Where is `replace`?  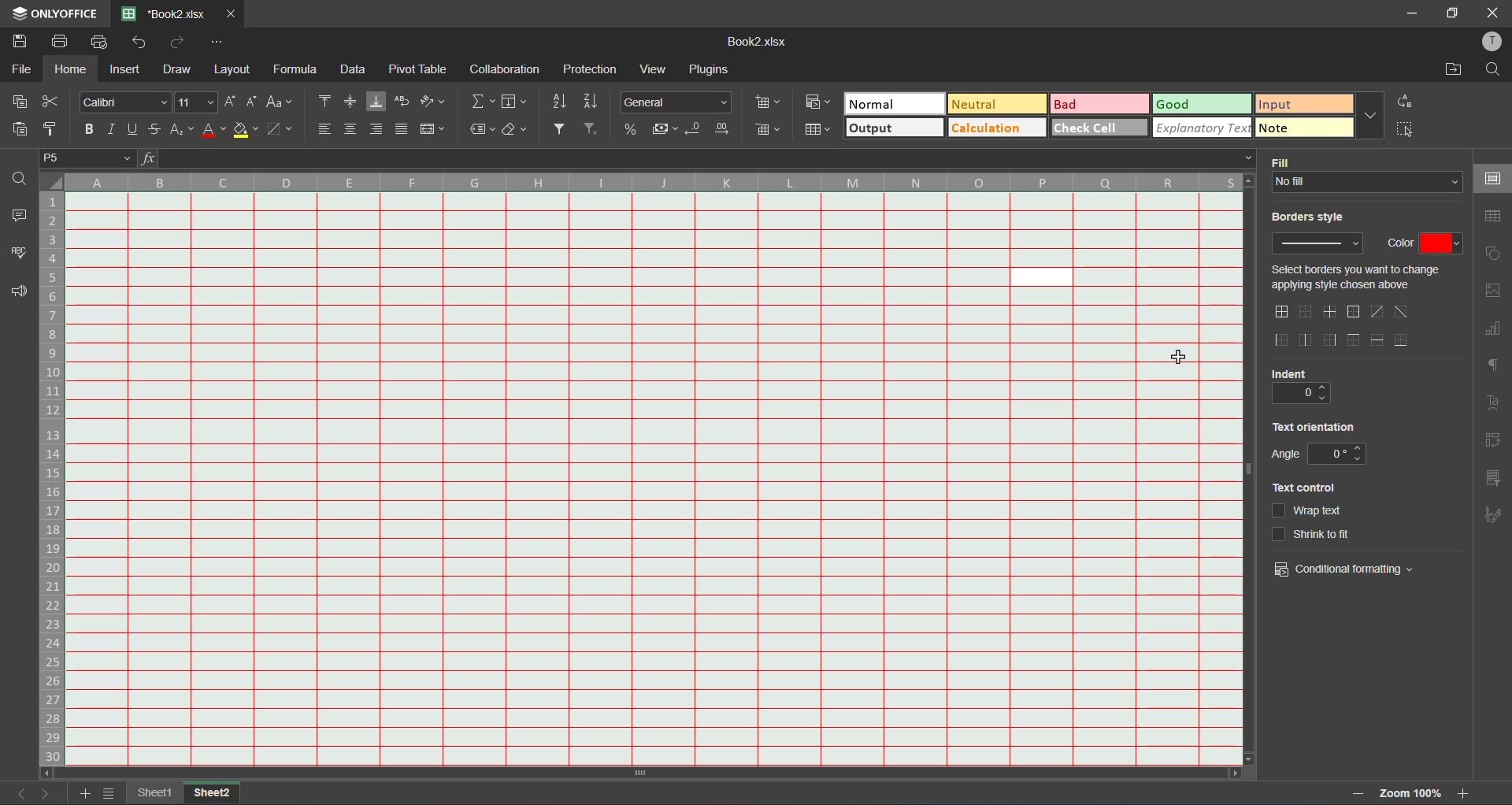
replace is located at coordinates (1403, 103).